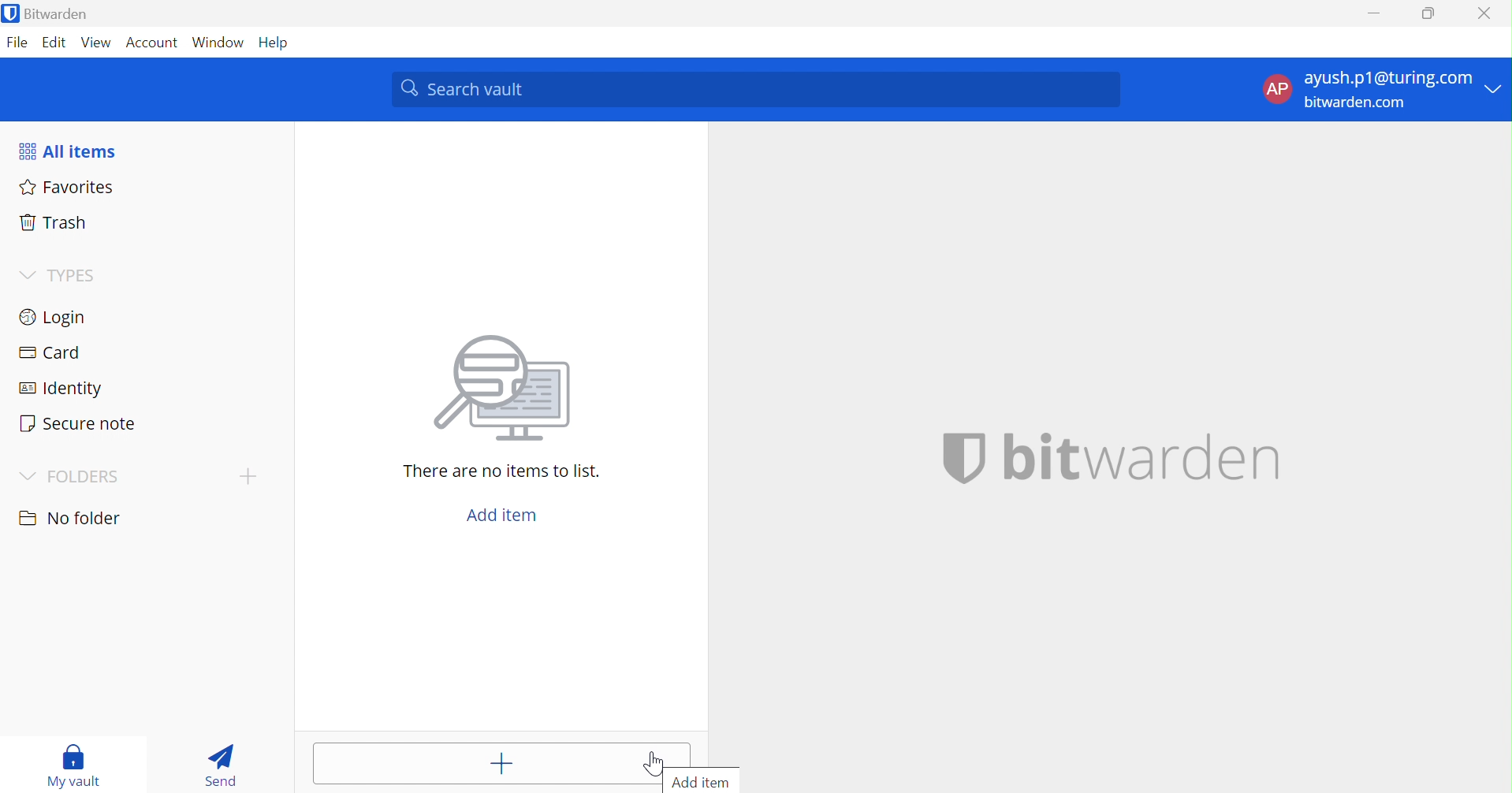  Describe the element at coordinates (150, 42) in the screenshot. I see `Account` at that location.